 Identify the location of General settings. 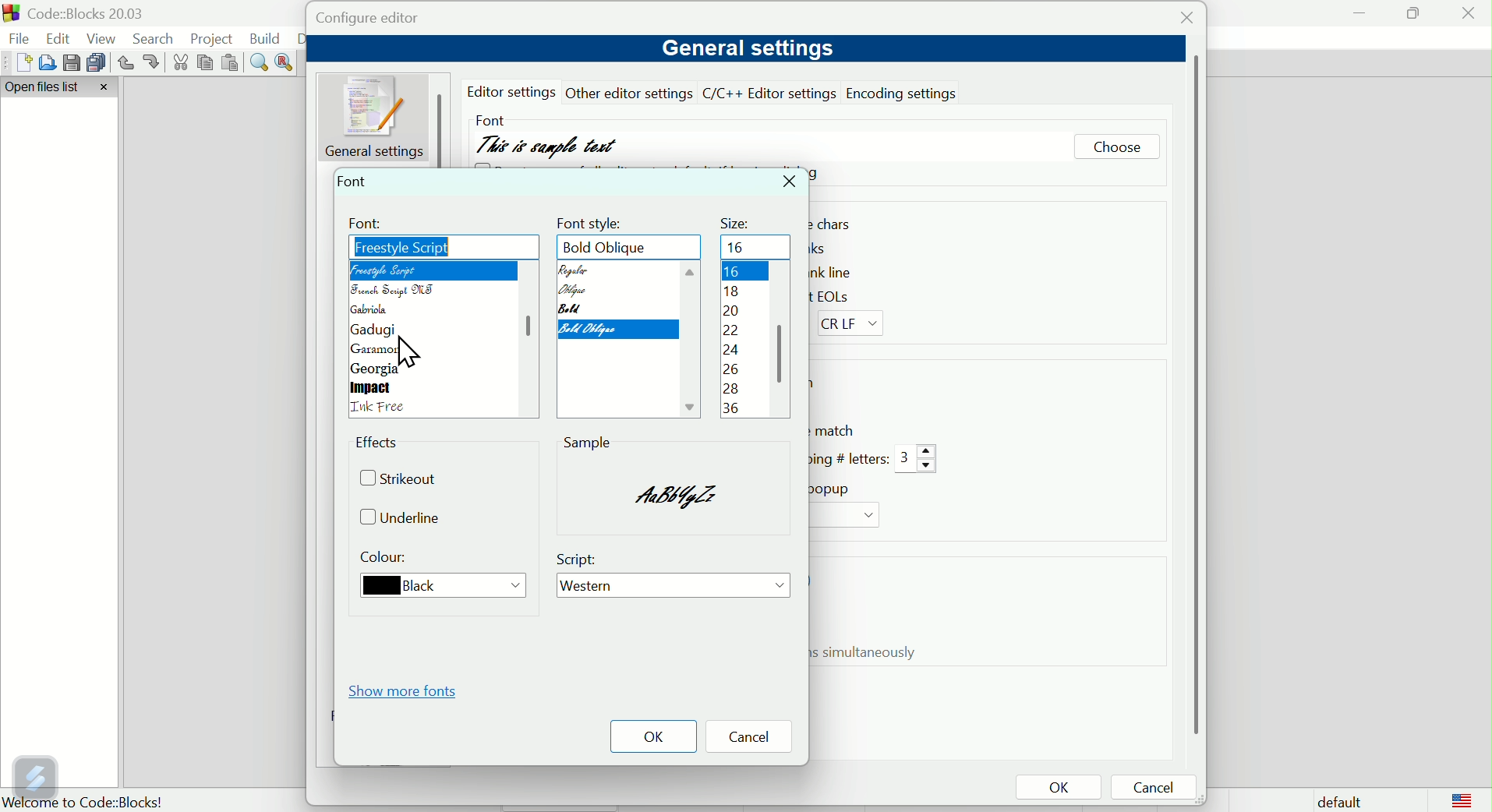
(744, 49).